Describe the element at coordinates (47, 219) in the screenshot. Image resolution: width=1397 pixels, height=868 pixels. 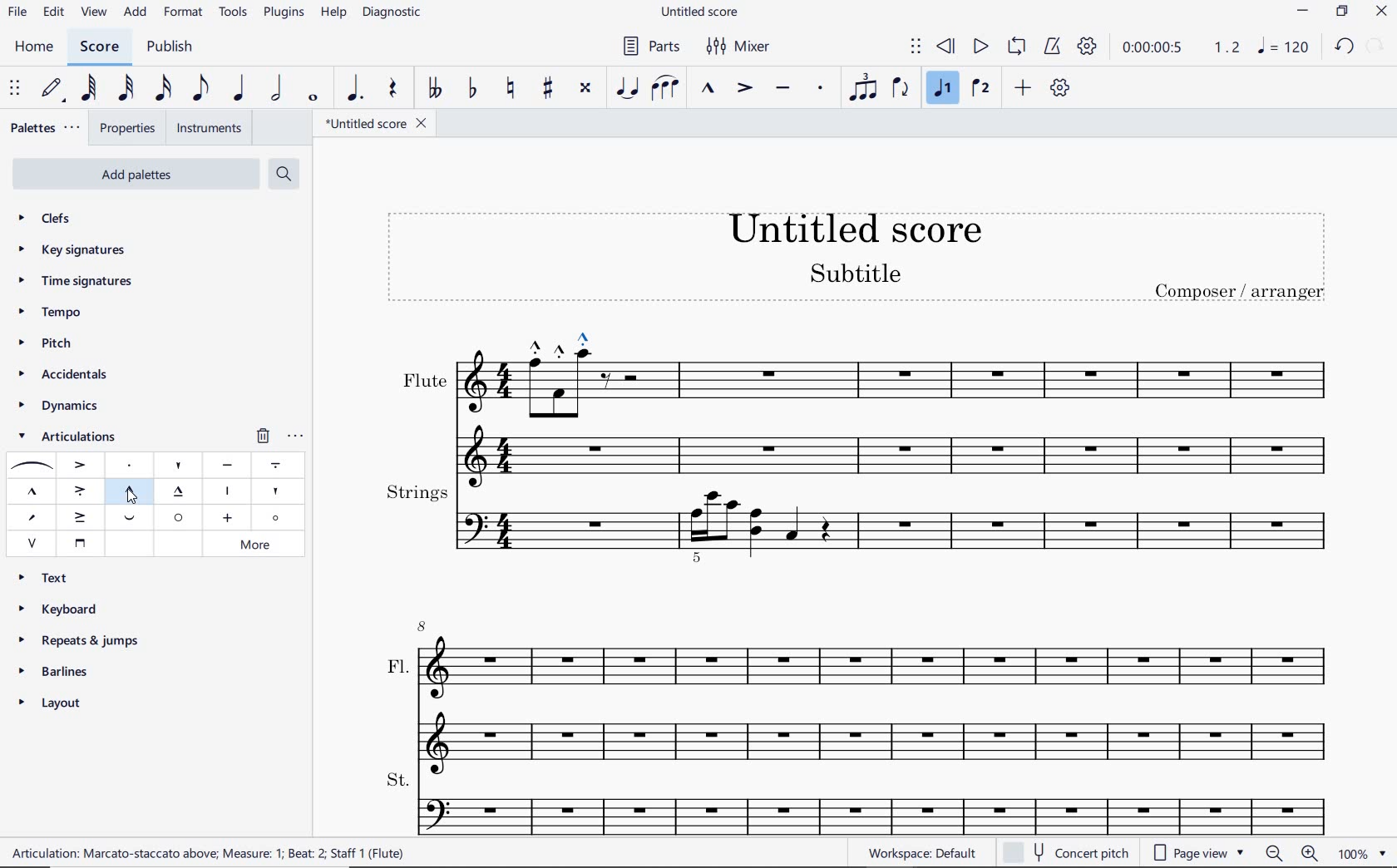
I see `clefs` at that location.